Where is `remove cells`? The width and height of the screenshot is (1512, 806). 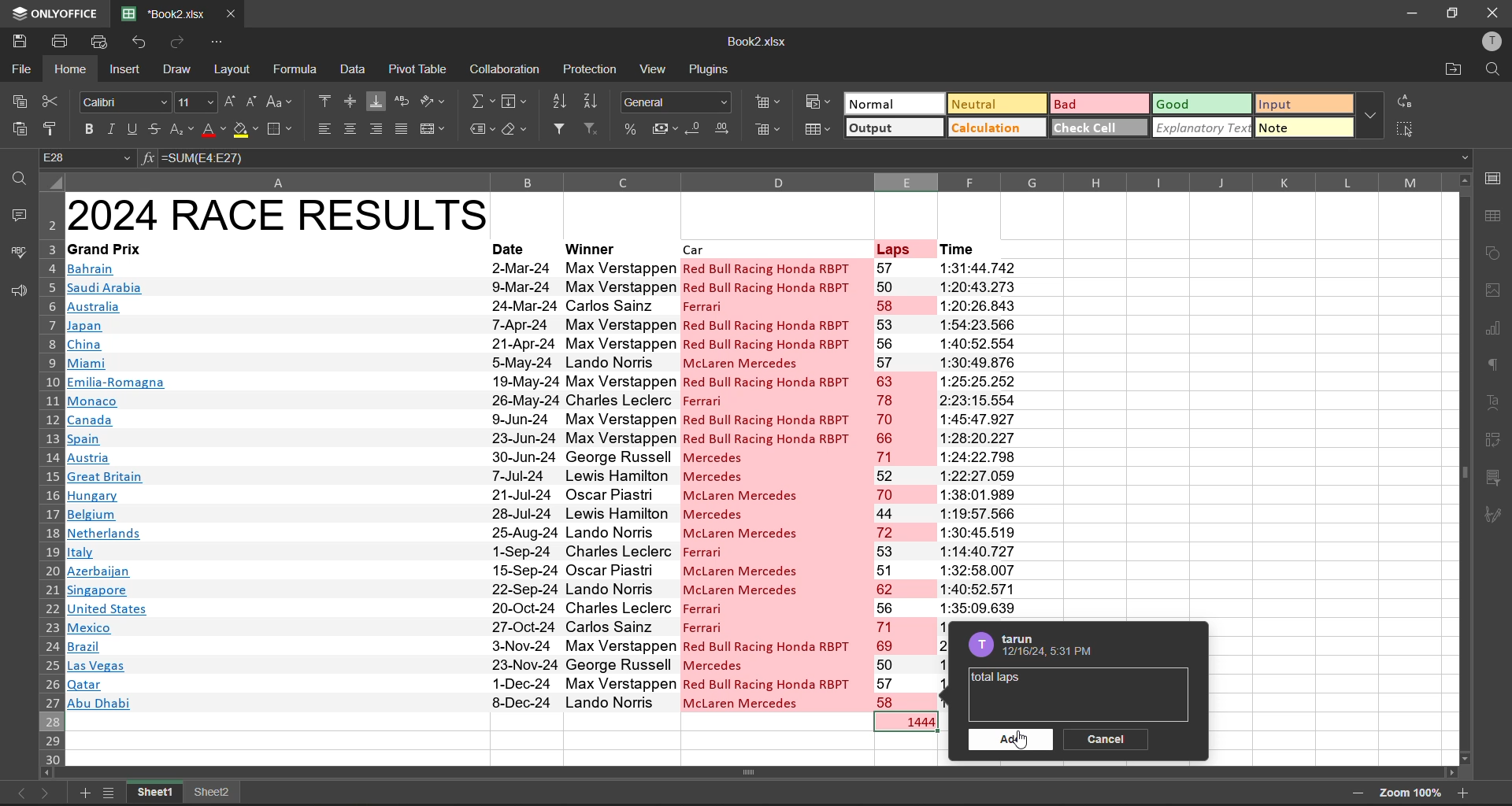
remove cells is located at coordinates (769, 131).